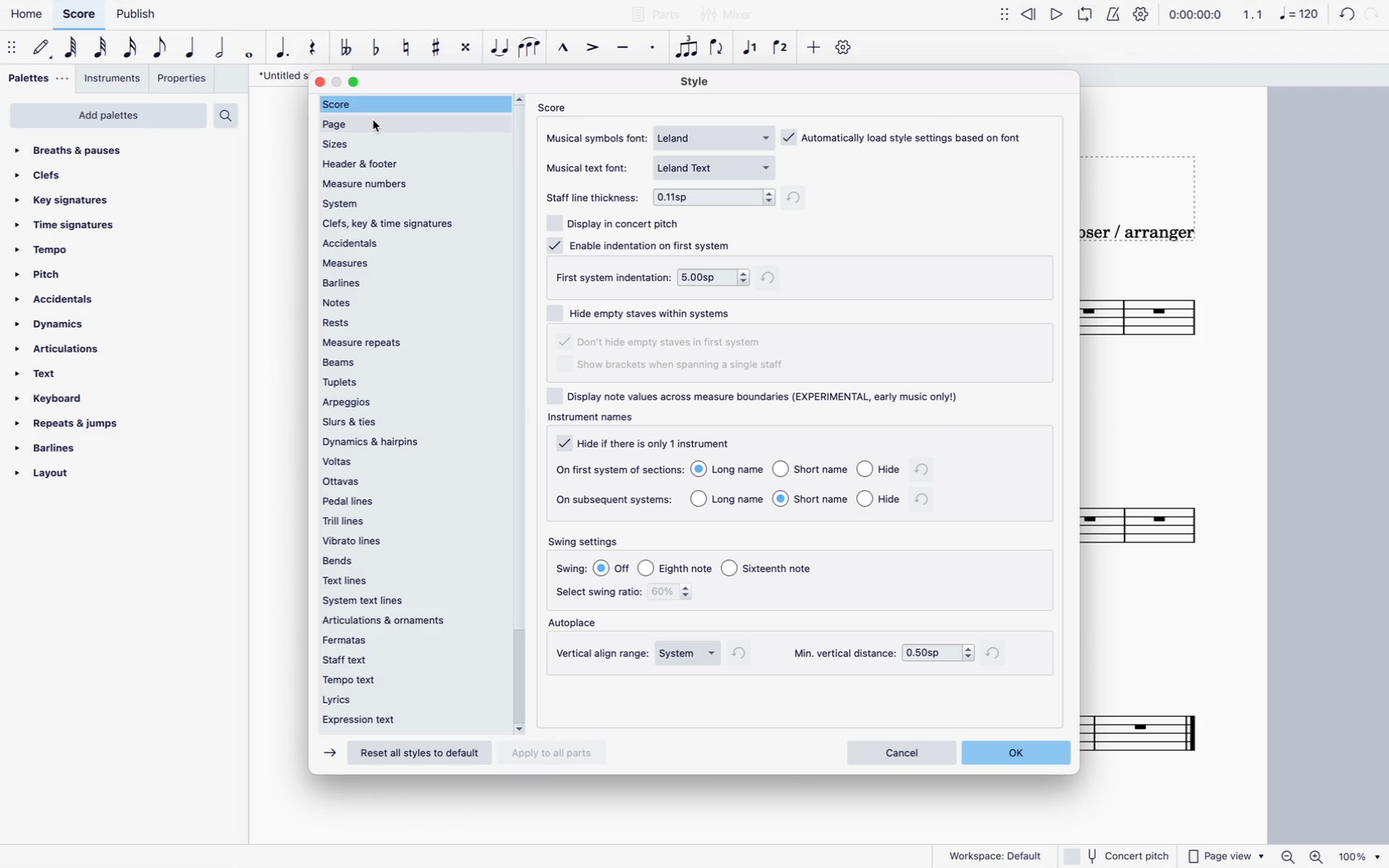 Image resolution: width=1389 pixels, height=868 pixels. What do you see at coordinates (312, 49) in the screenshot?
I see `rest` at bounding box center [312, 49].